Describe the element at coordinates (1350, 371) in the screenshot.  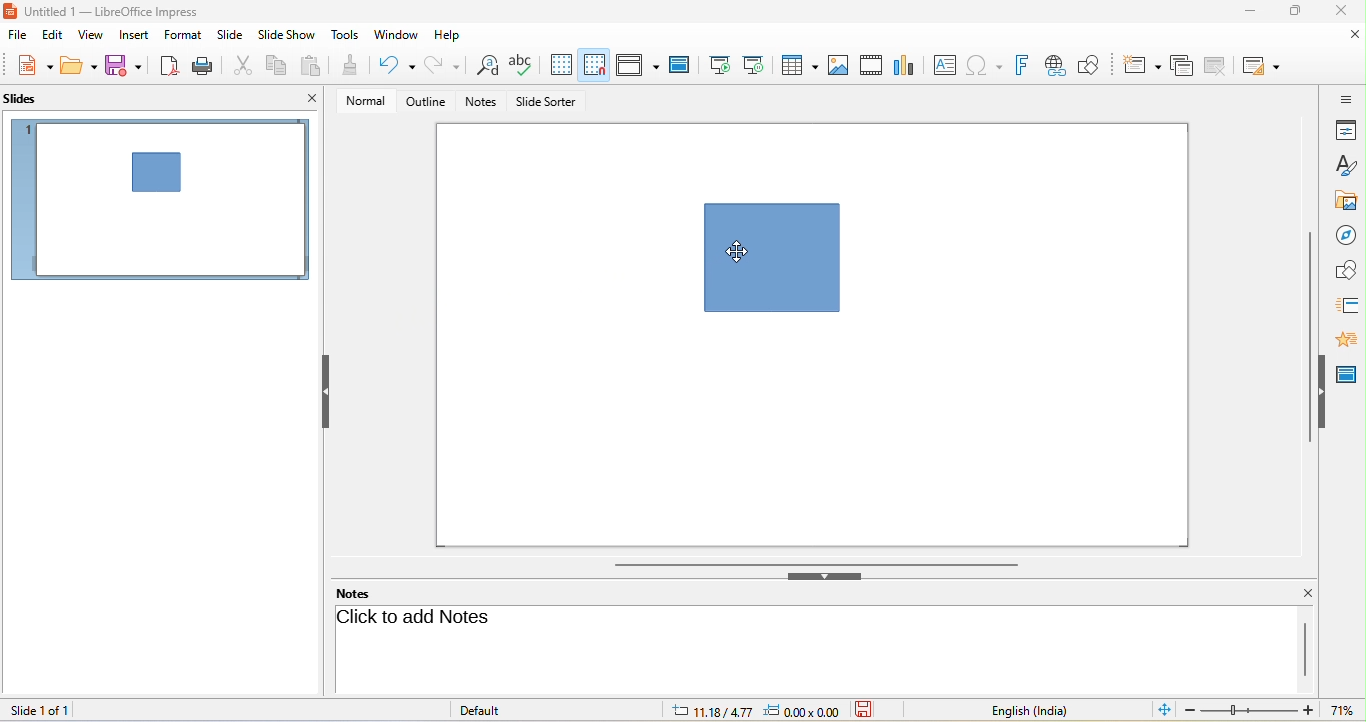
I see `master slide` at that location.